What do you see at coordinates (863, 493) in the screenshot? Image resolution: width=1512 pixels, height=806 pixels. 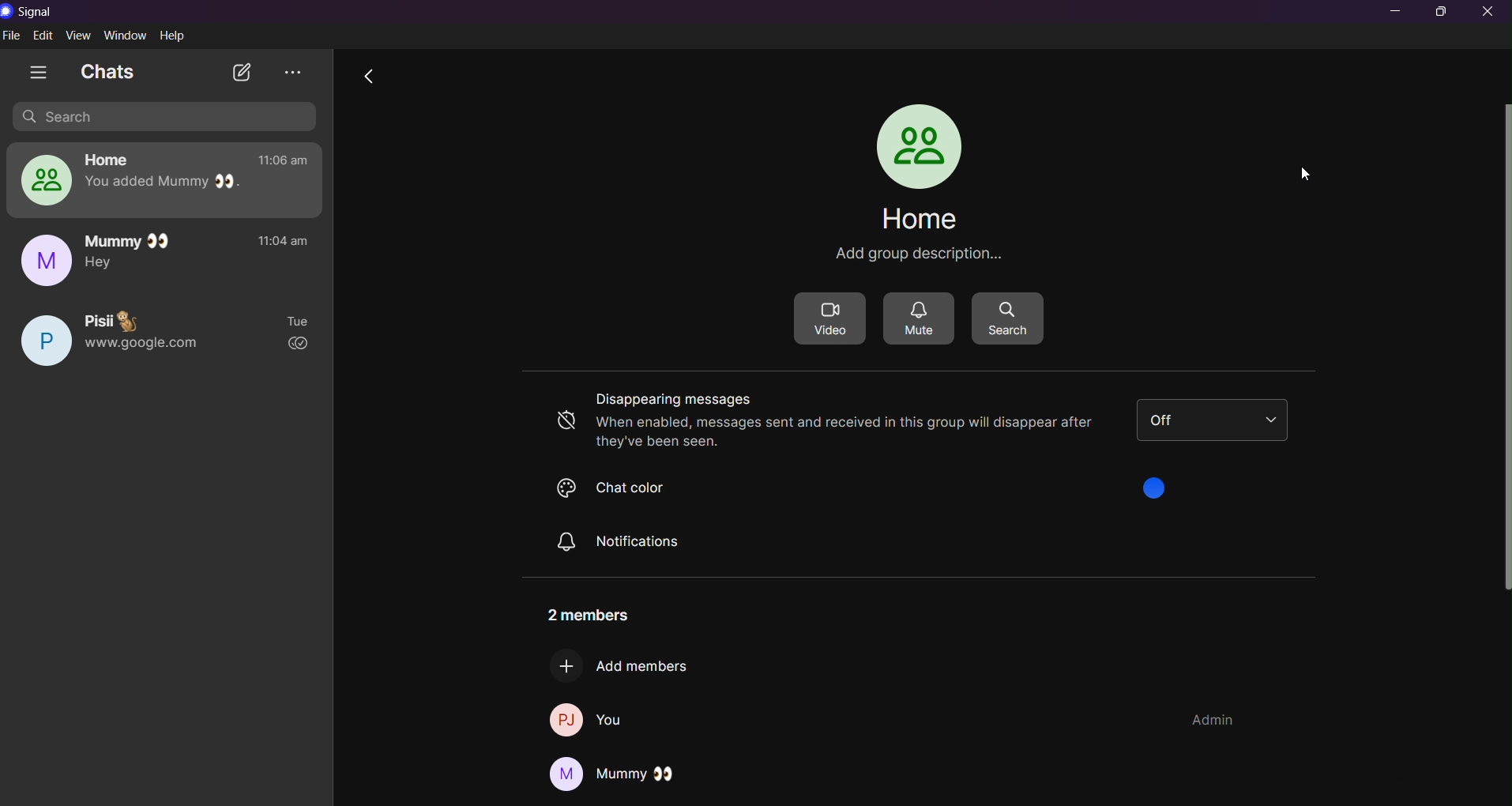 I see `chat color` at bounding box center [863, 493].